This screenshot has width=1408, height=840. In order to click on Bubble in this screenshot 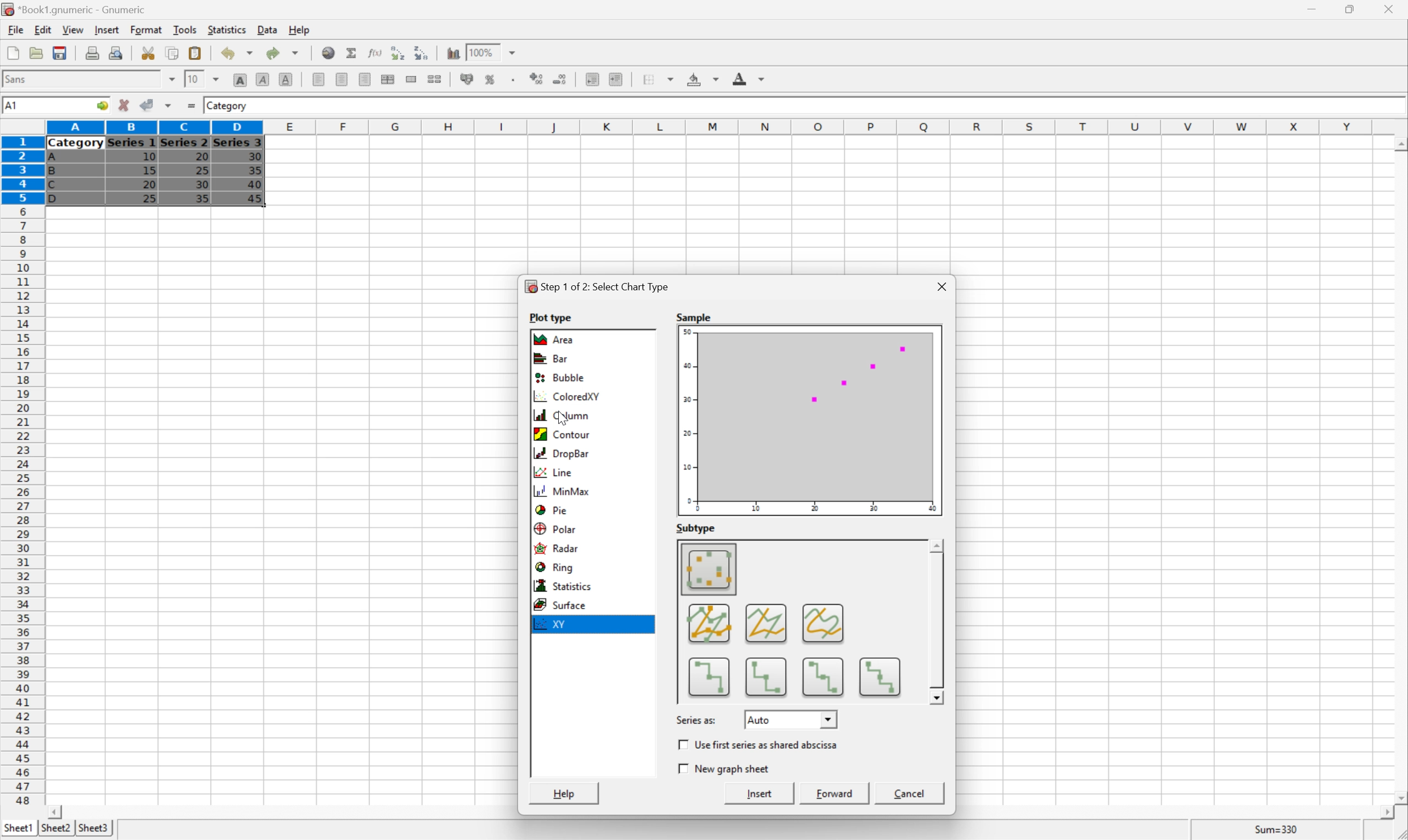, I will do `click(558, 379)`.